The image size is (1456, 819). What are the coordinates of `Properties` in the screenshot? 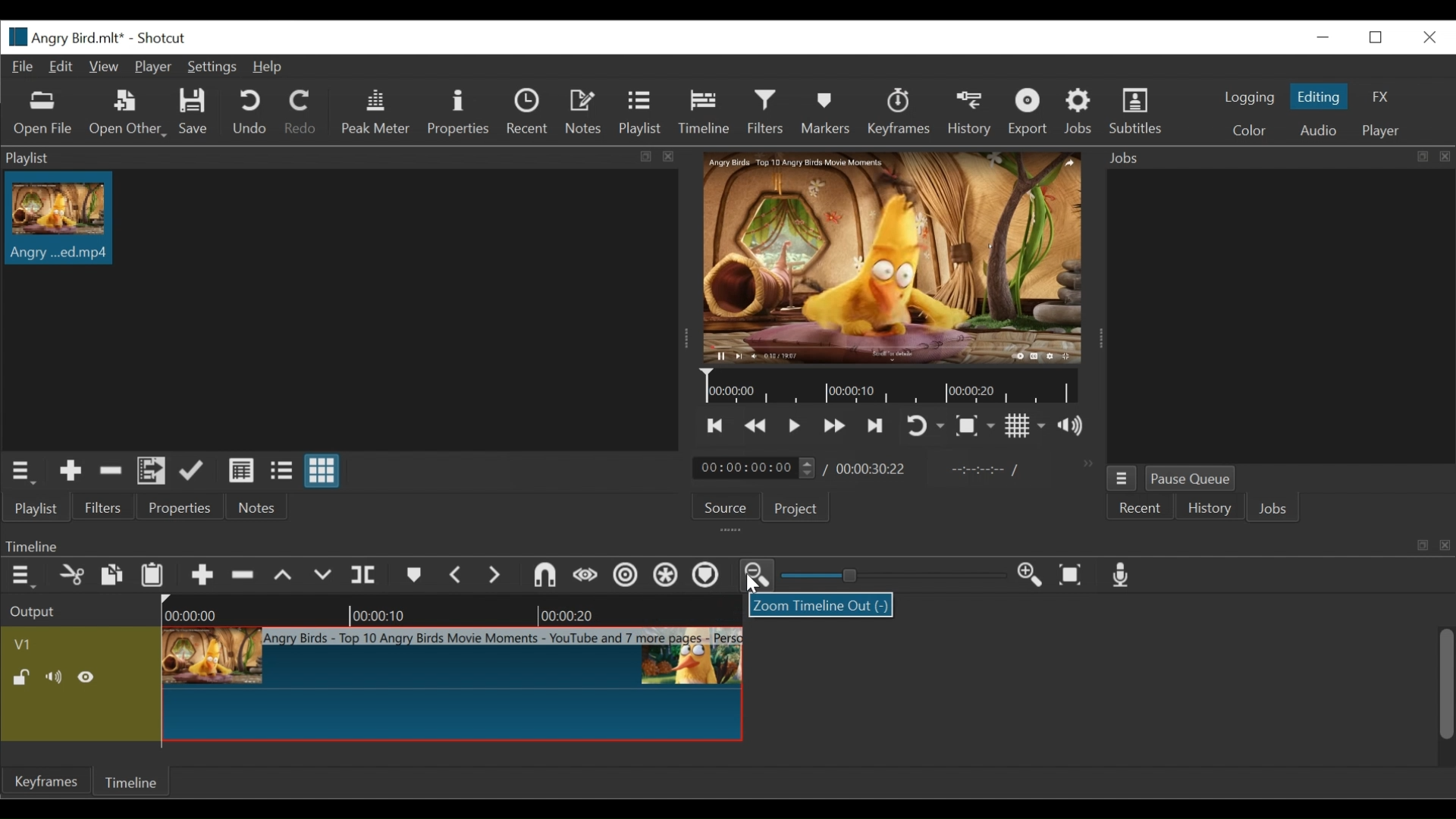 It's located at (179, 507).